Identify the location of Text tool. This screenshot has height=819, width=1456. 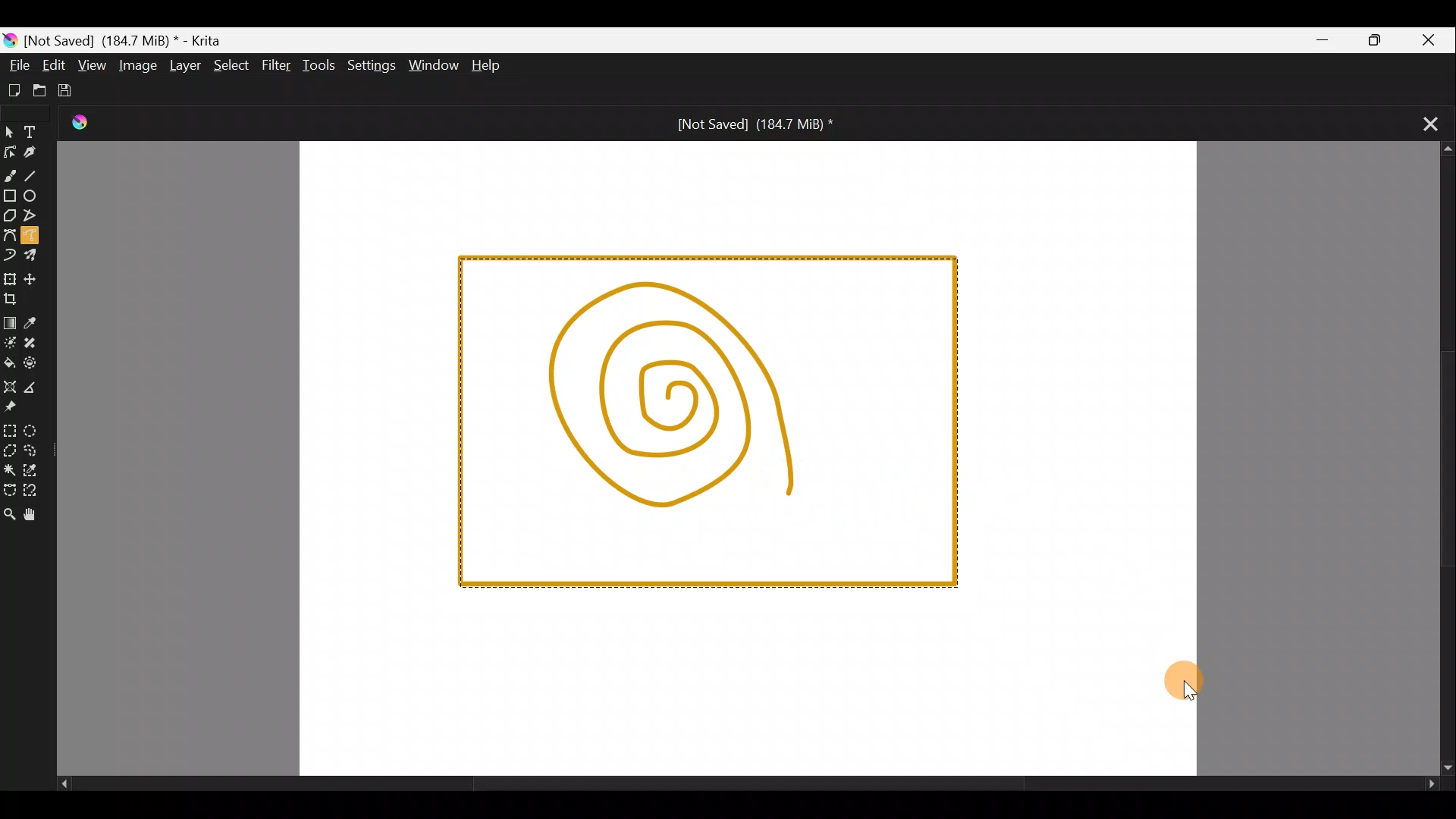
(36, 130).